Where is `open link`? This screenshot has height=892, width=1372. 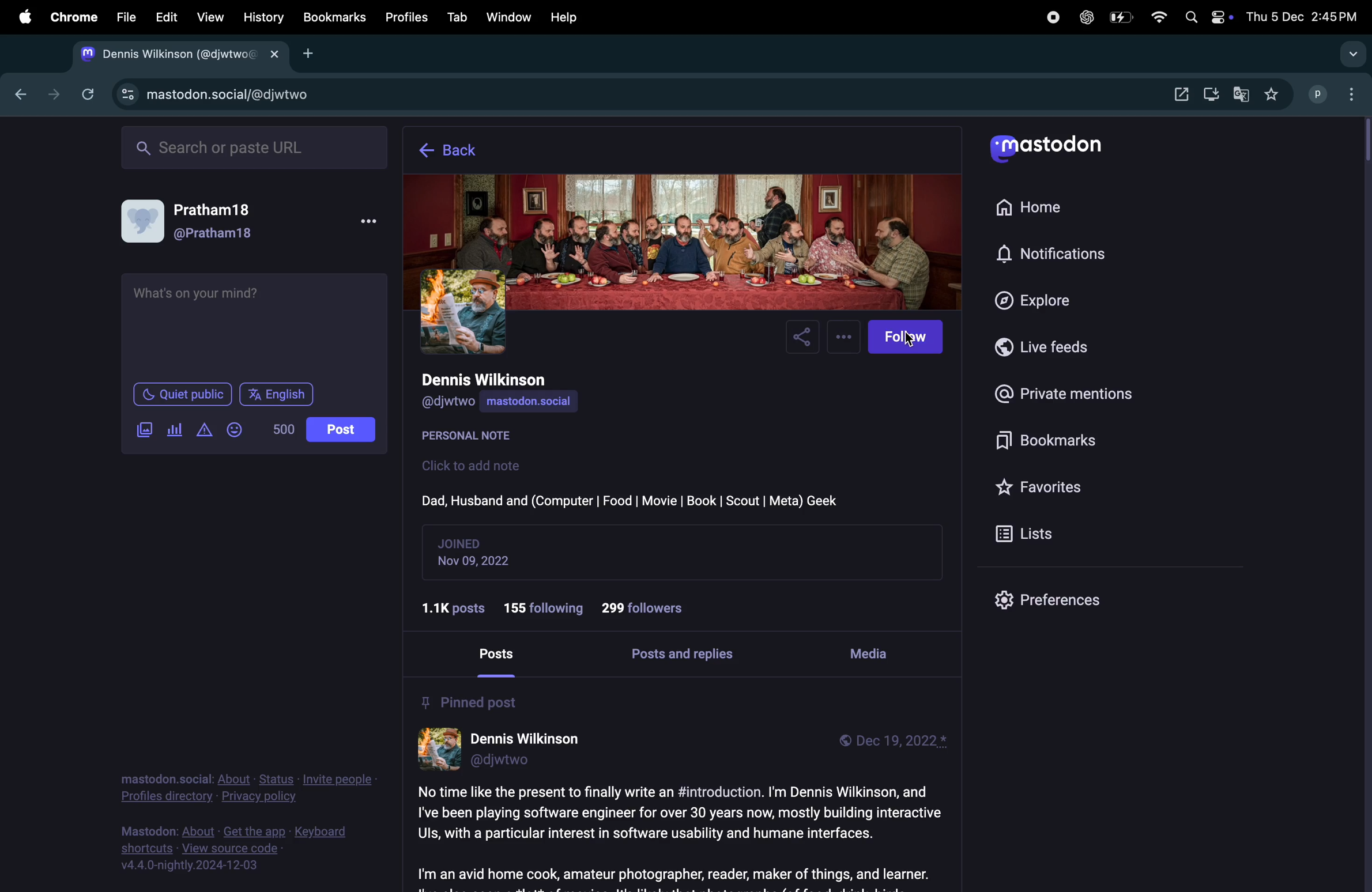 open link is located at coordinates (1177, 92).